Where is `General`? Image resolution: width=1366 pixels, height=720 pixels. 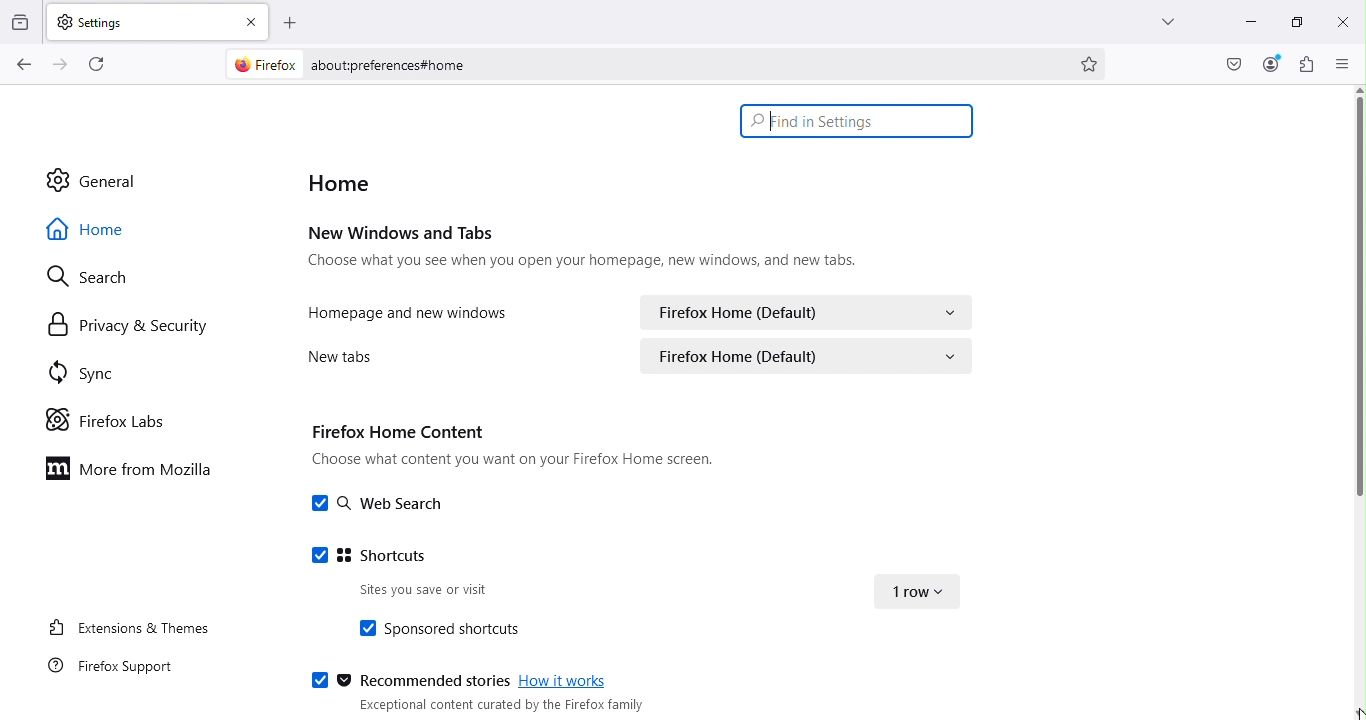 General is located at coordinates (110, 180).